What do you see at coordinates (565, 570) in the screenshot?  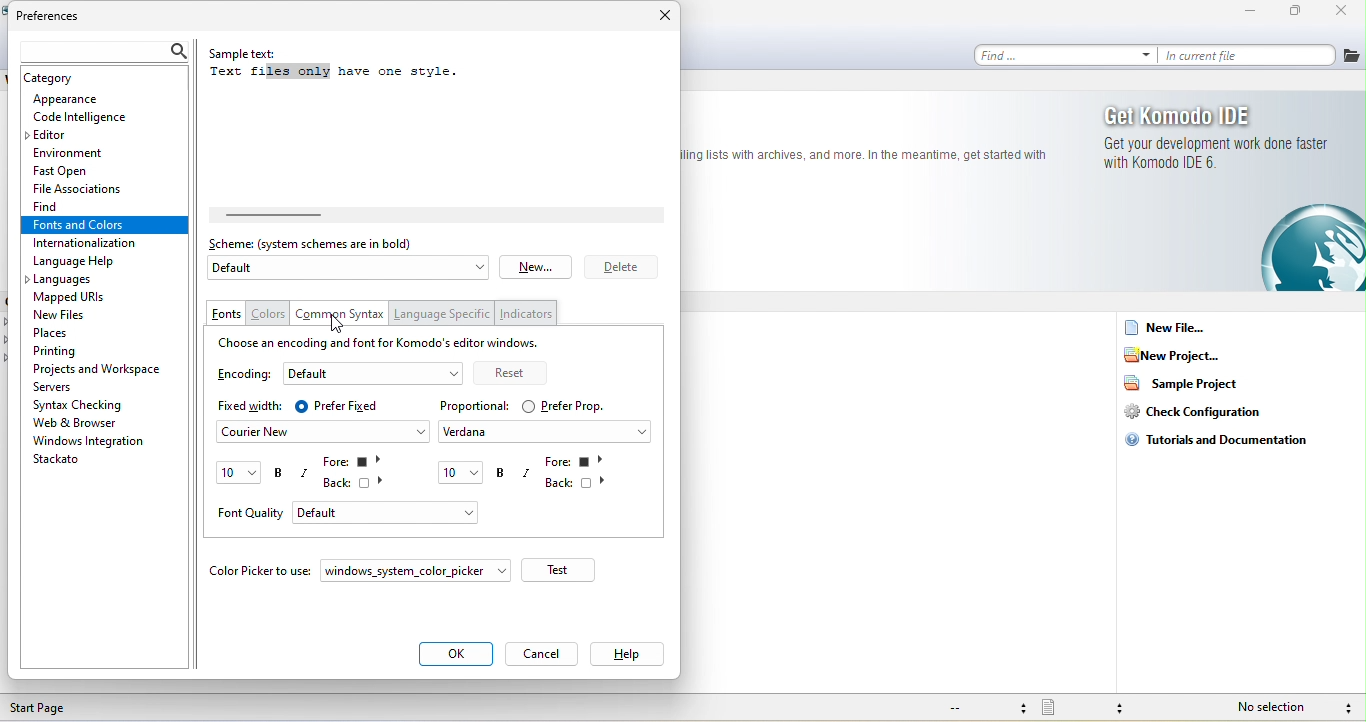 I see `test` at bounding box center [565, 570].